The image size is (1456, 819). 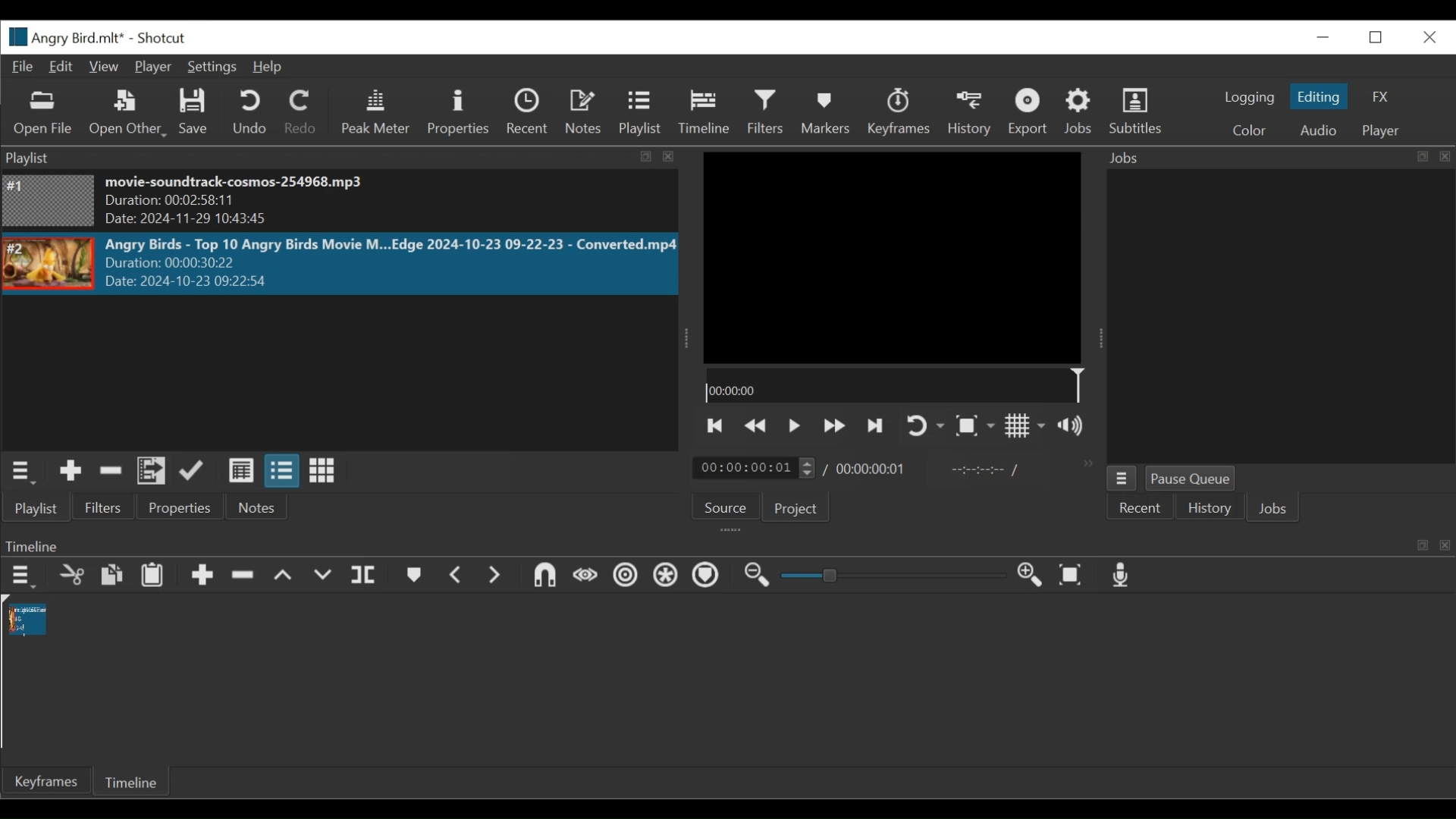 What do you see at coordinates (1378, 36) in the screenshot?
I see `Restore` at bounding box center [1378, 36].